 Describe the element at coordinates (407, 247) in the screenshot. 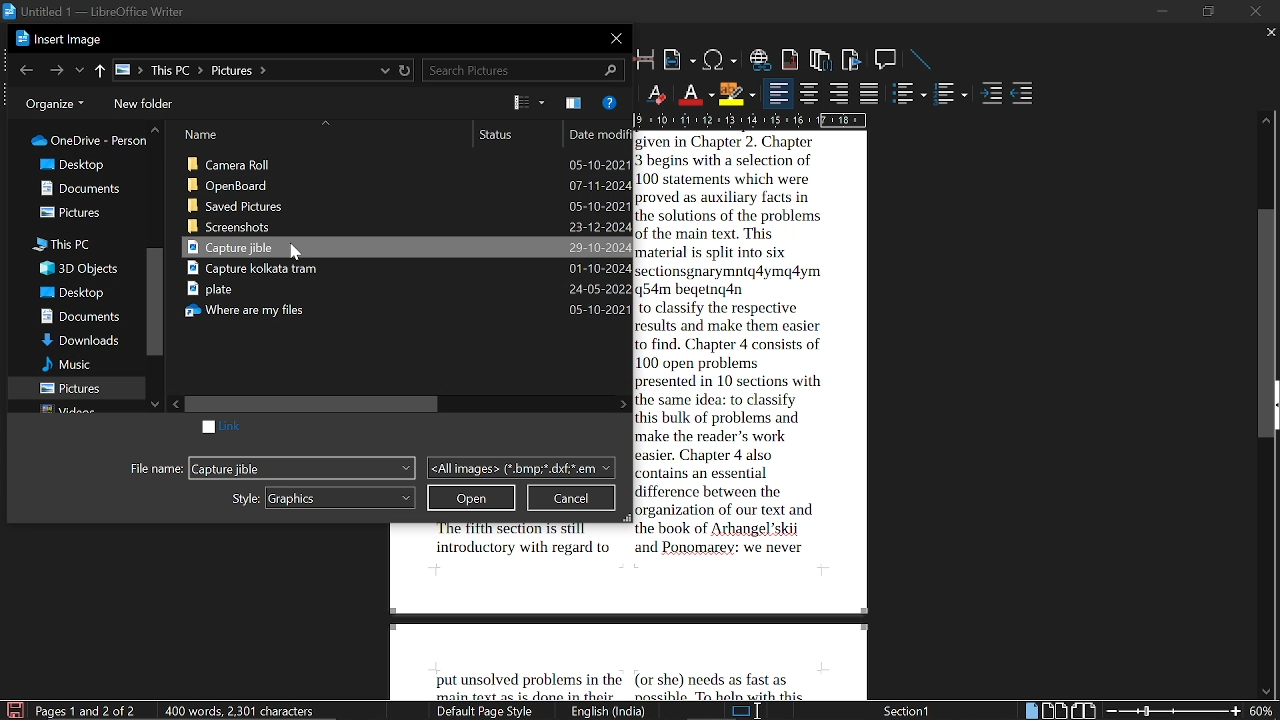

I see `Capture Jible` at that location.